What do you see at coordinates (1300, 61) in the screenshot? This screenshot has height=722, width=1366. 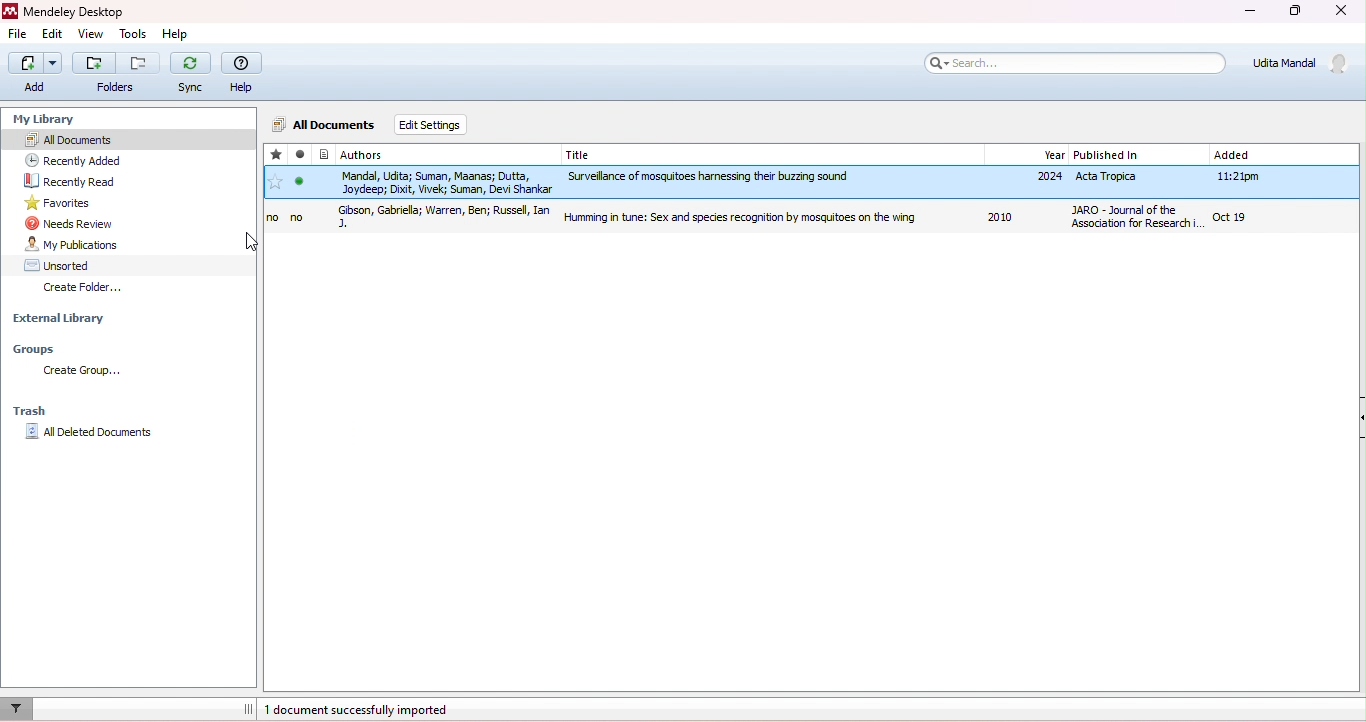 I see `Udita Mandal` at bounding box center [1300, 61].